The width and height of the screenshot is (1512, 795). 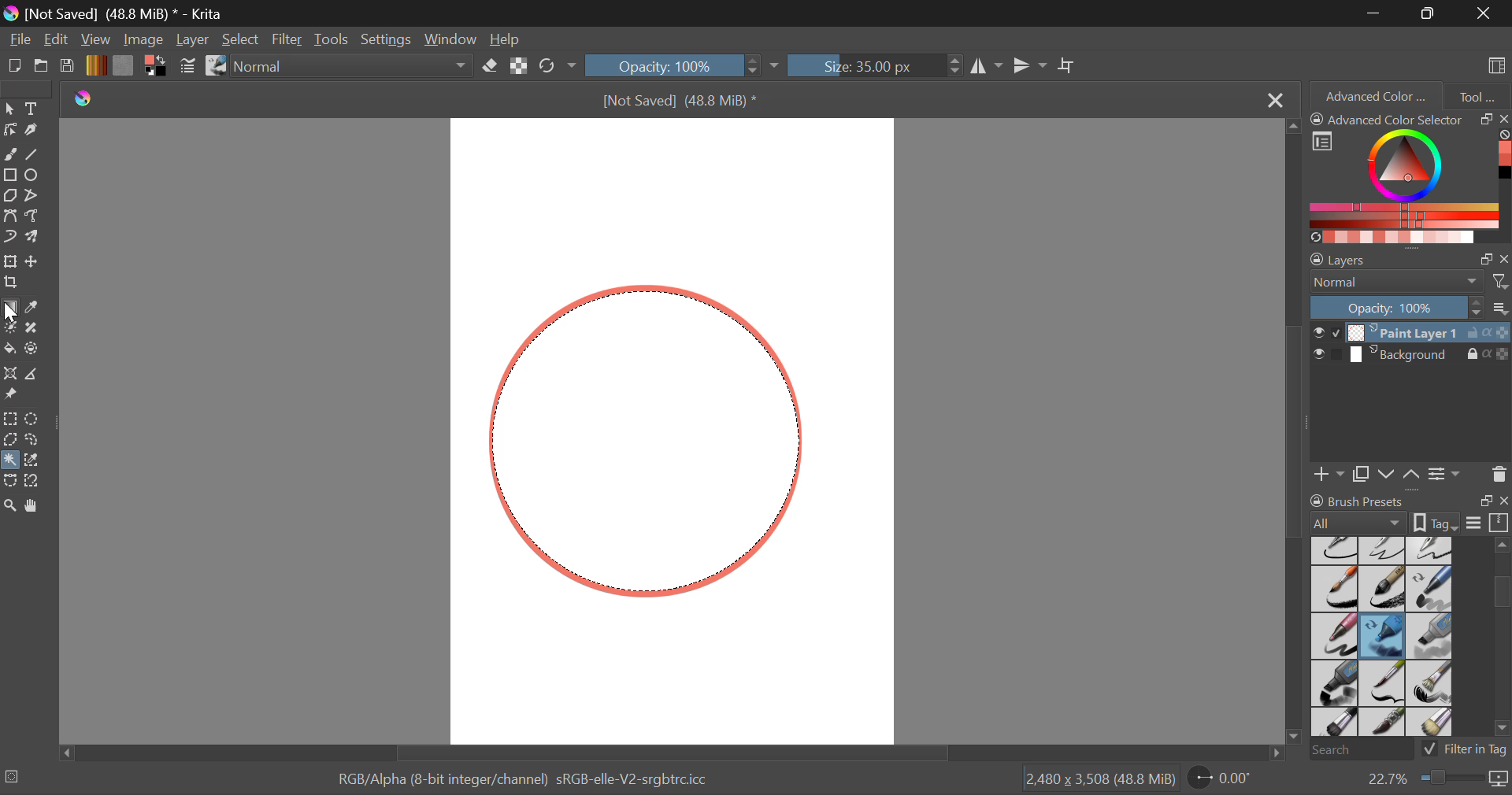 I want to click on Polyline Tool, so click(x=34, y=195).